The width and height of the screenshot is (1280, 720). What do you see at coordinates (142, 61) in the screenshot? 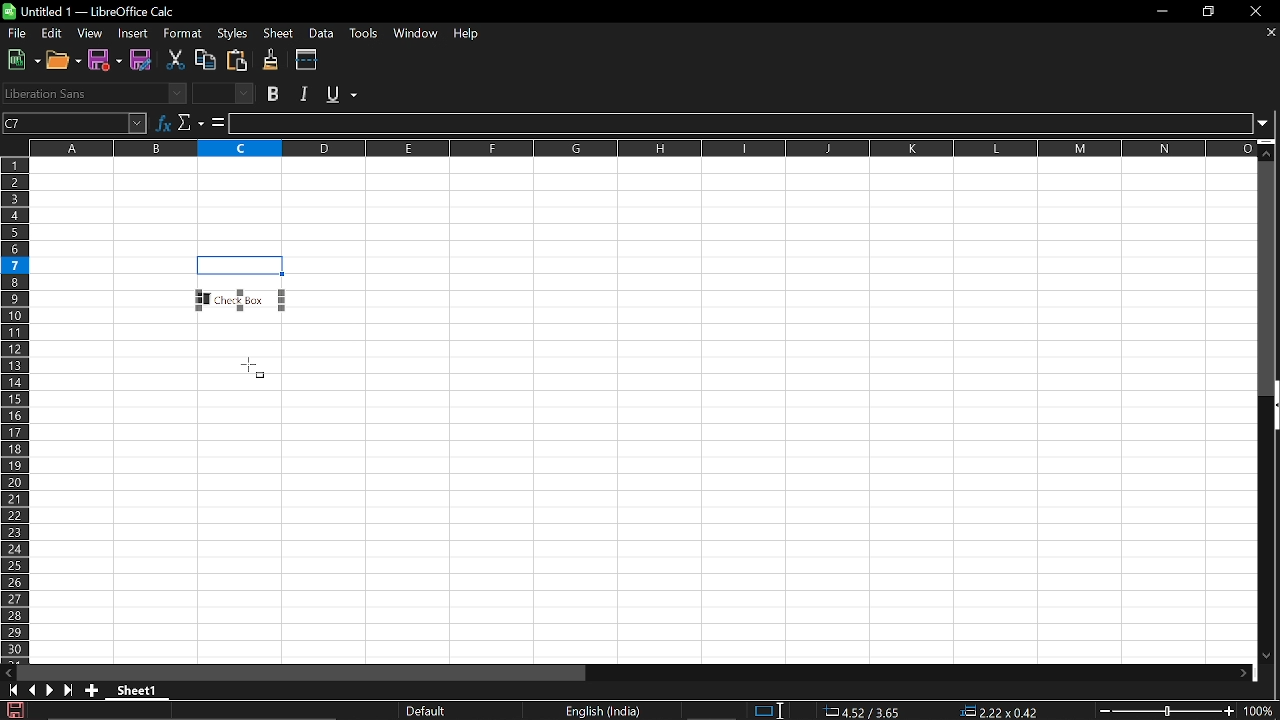
I see `Save as` at bounding box center [142, 61].